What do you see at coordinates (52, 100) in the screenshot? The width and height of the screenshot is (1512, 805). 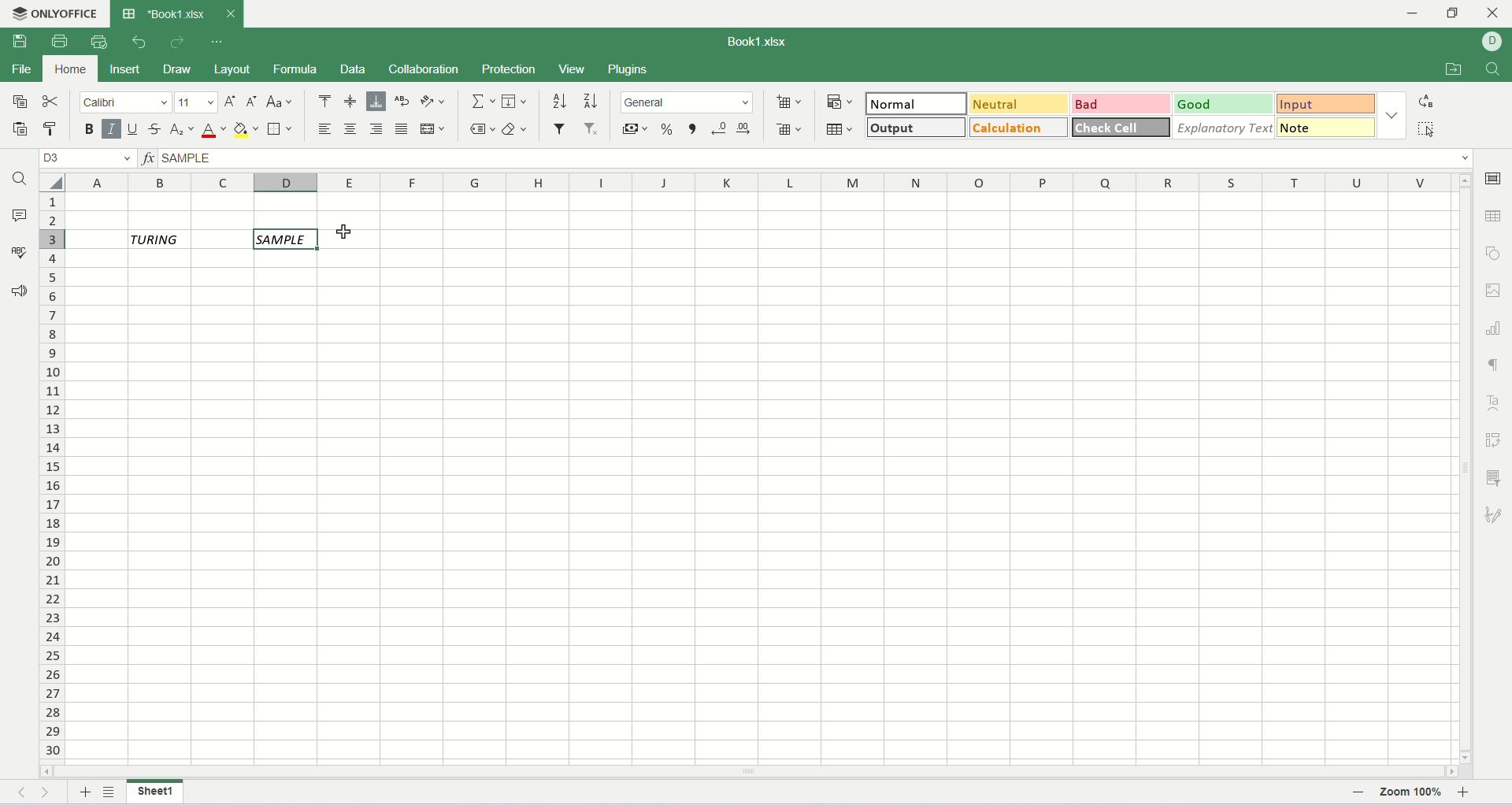 I see `cut` at bounding box center [52, 100].